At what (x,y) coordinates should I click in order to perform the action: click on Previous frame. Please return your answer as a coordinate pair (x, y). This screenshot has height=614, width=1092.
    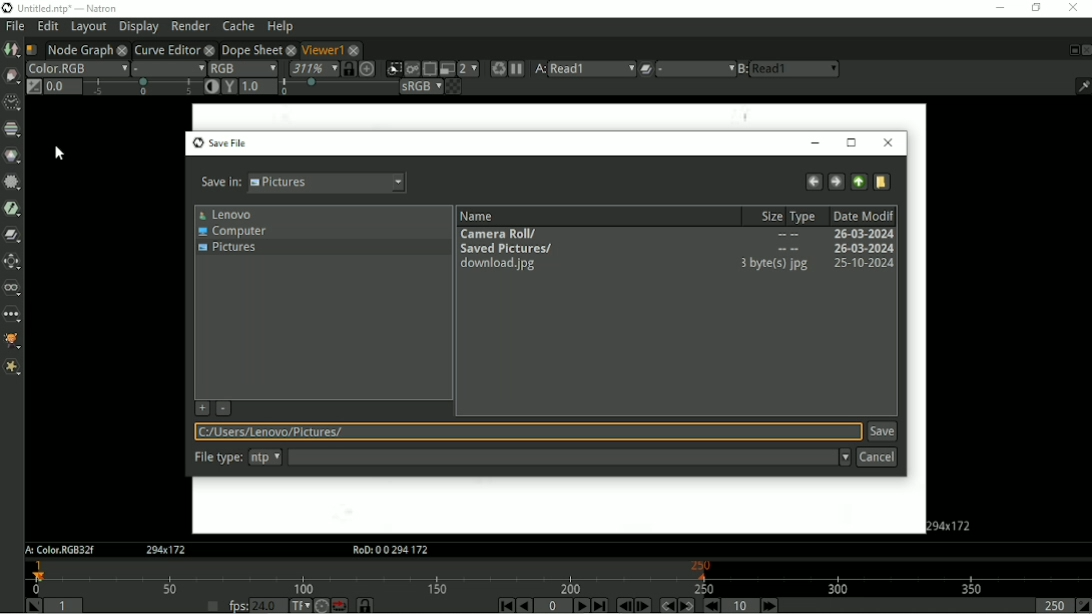
    Looking at the image, I should click on (624, 606).